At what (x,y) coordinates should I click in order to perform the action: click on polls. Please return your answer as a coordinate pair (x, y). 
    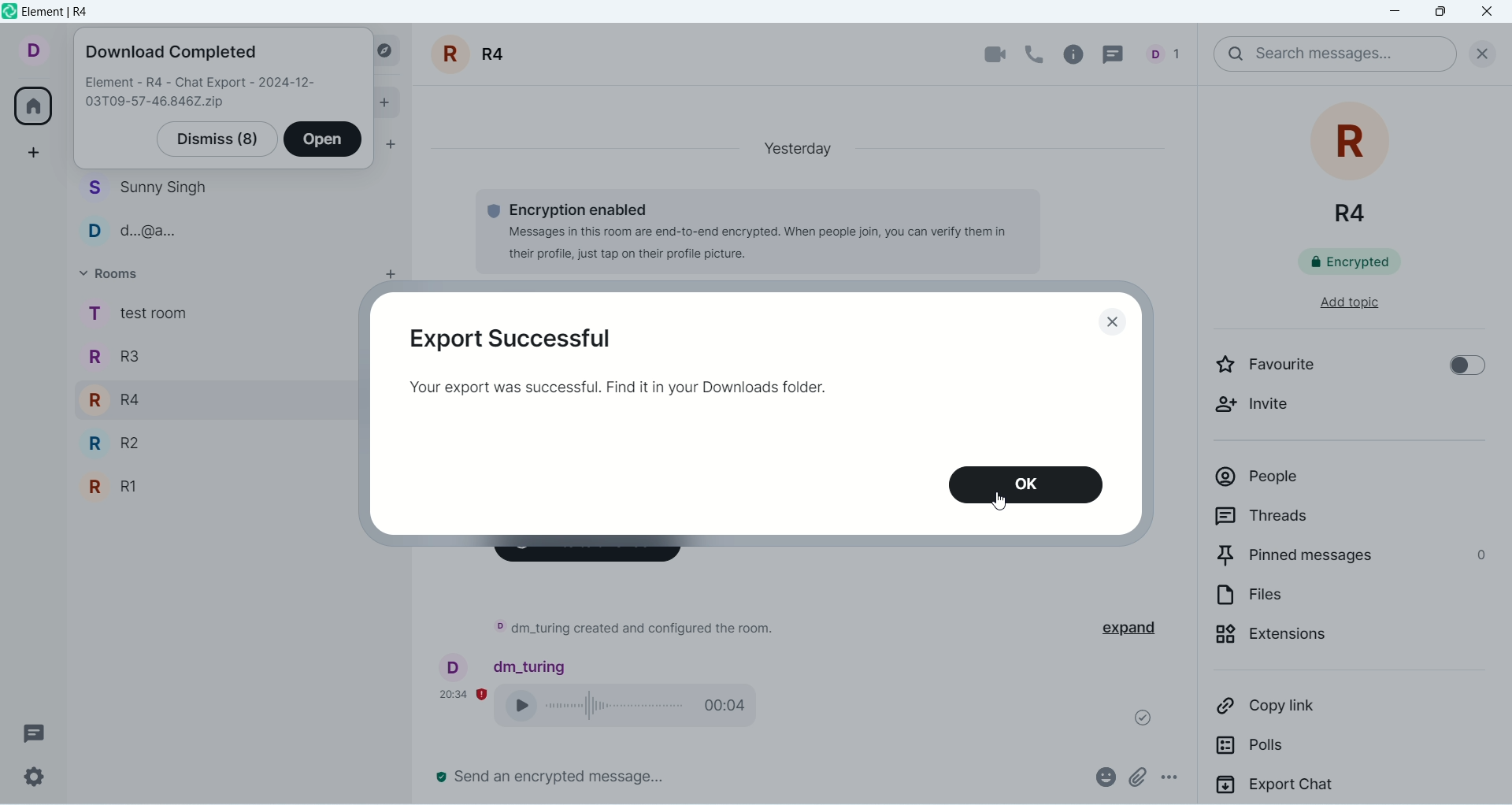
    Looking at the image, I should click on (1301, 751).